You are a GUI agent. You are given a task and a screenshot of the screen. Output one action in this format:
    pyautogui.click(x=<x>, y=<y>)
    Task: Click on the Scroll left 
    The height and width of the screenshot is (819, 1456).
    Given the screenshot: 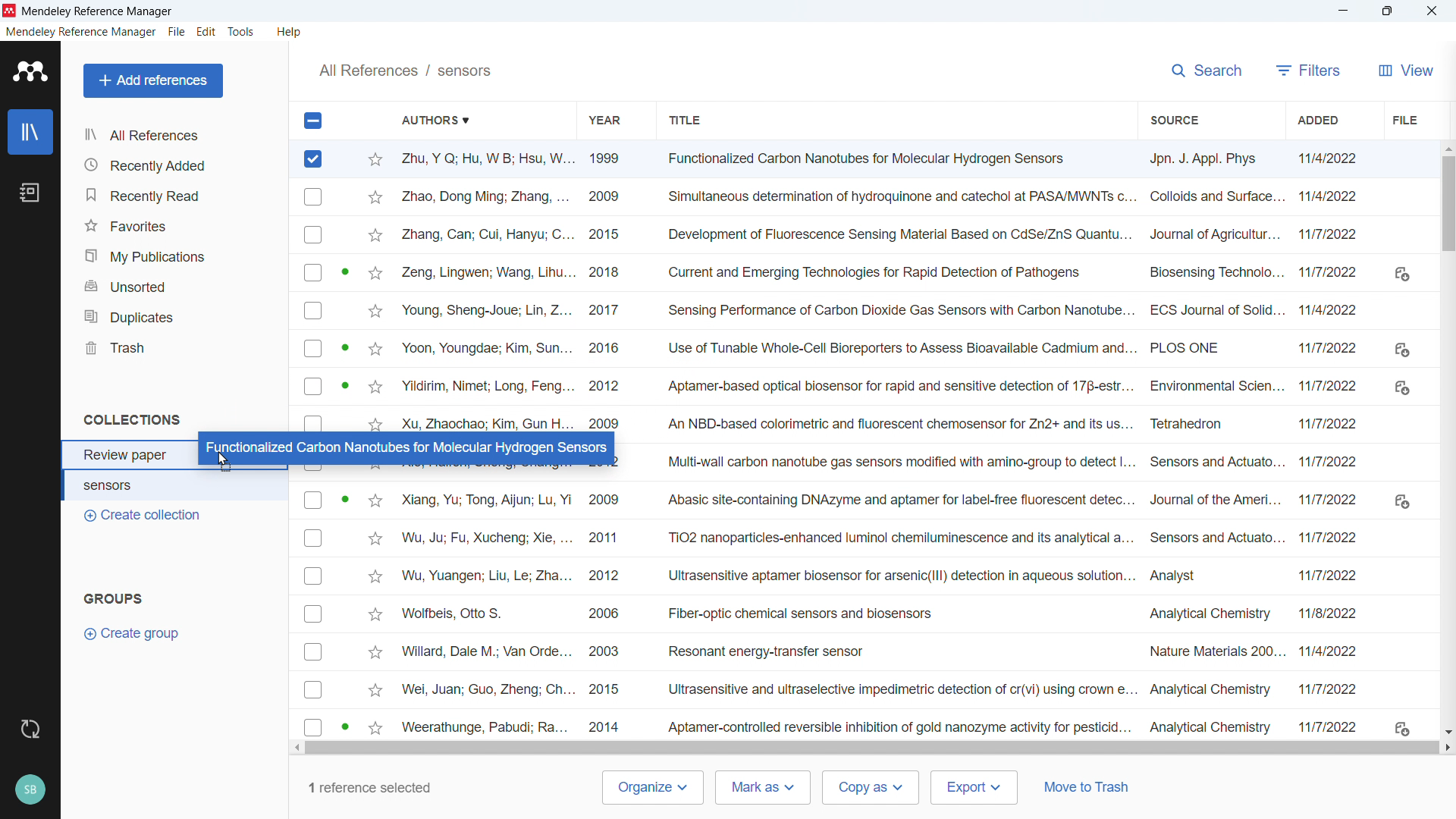 What is the action you would take?
    pyautogui.click(x=296, y=748)
    